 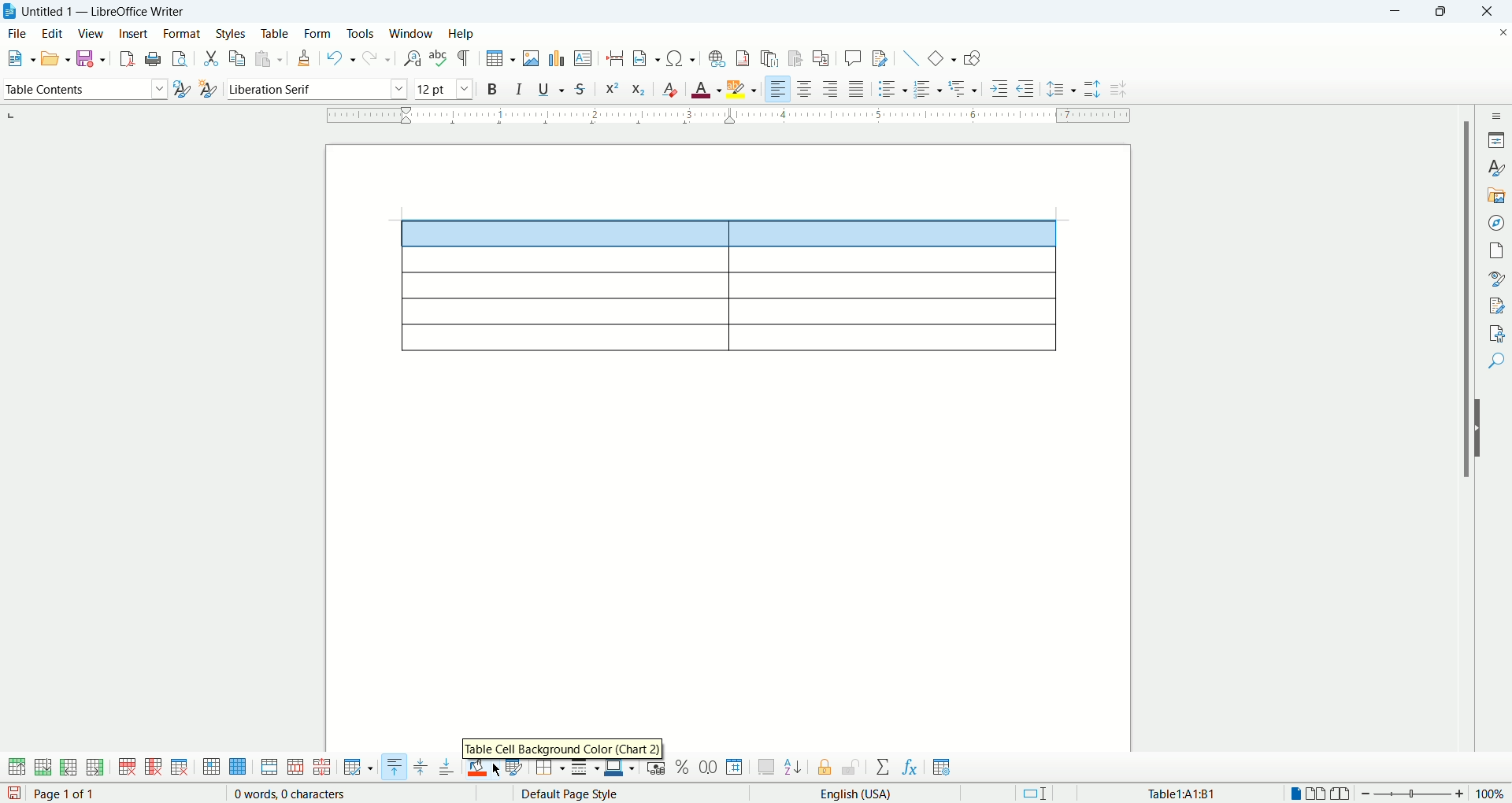 What do you see at coordinates (362, 33) in the screenshot?
I see `tools` at bounding box center [362, 33].